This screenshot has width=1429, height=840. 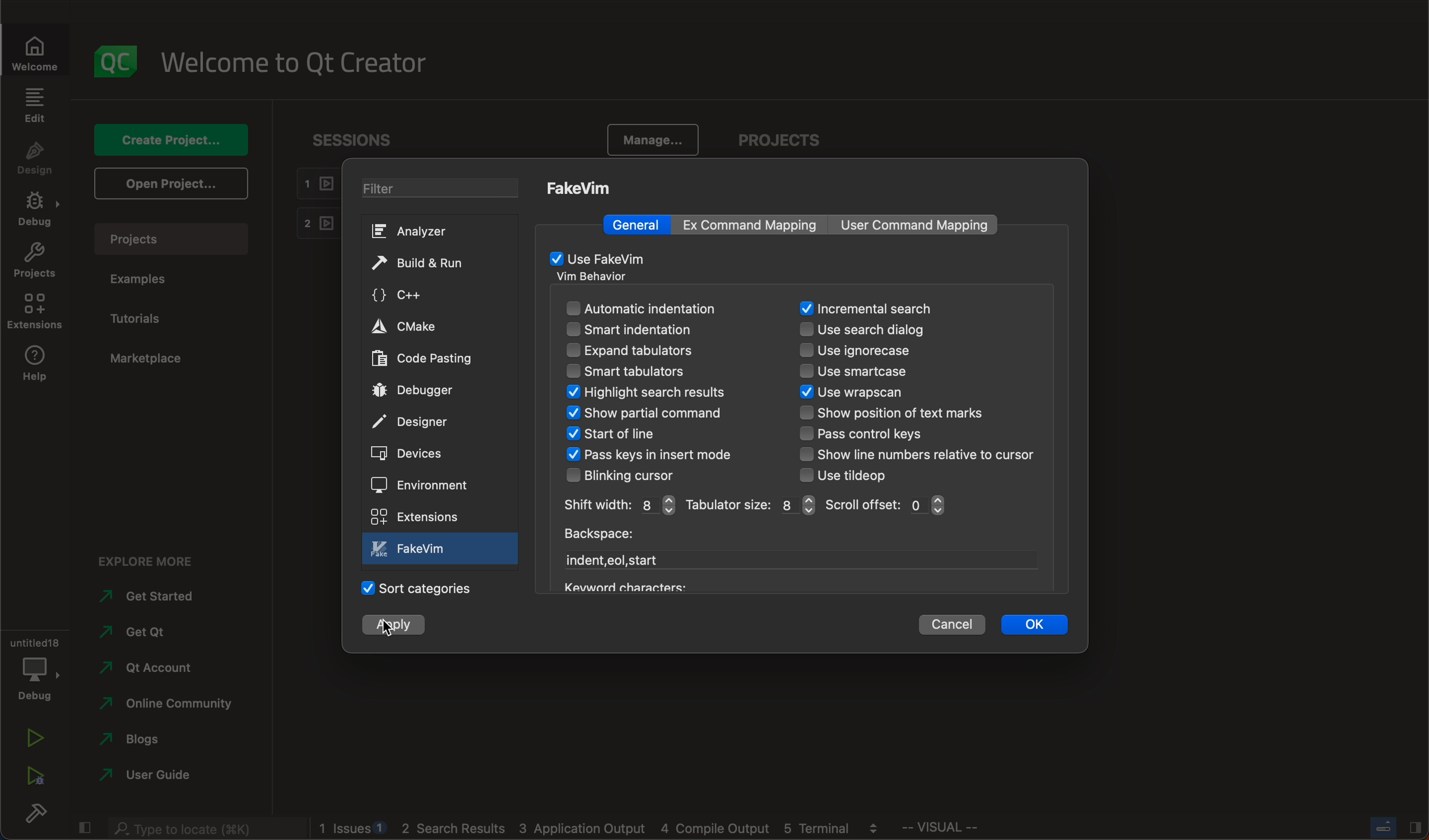 What do you see at coordinates (582, 188) in the screenshot?
I see `fakeVim` at bounding box center [582, 188].